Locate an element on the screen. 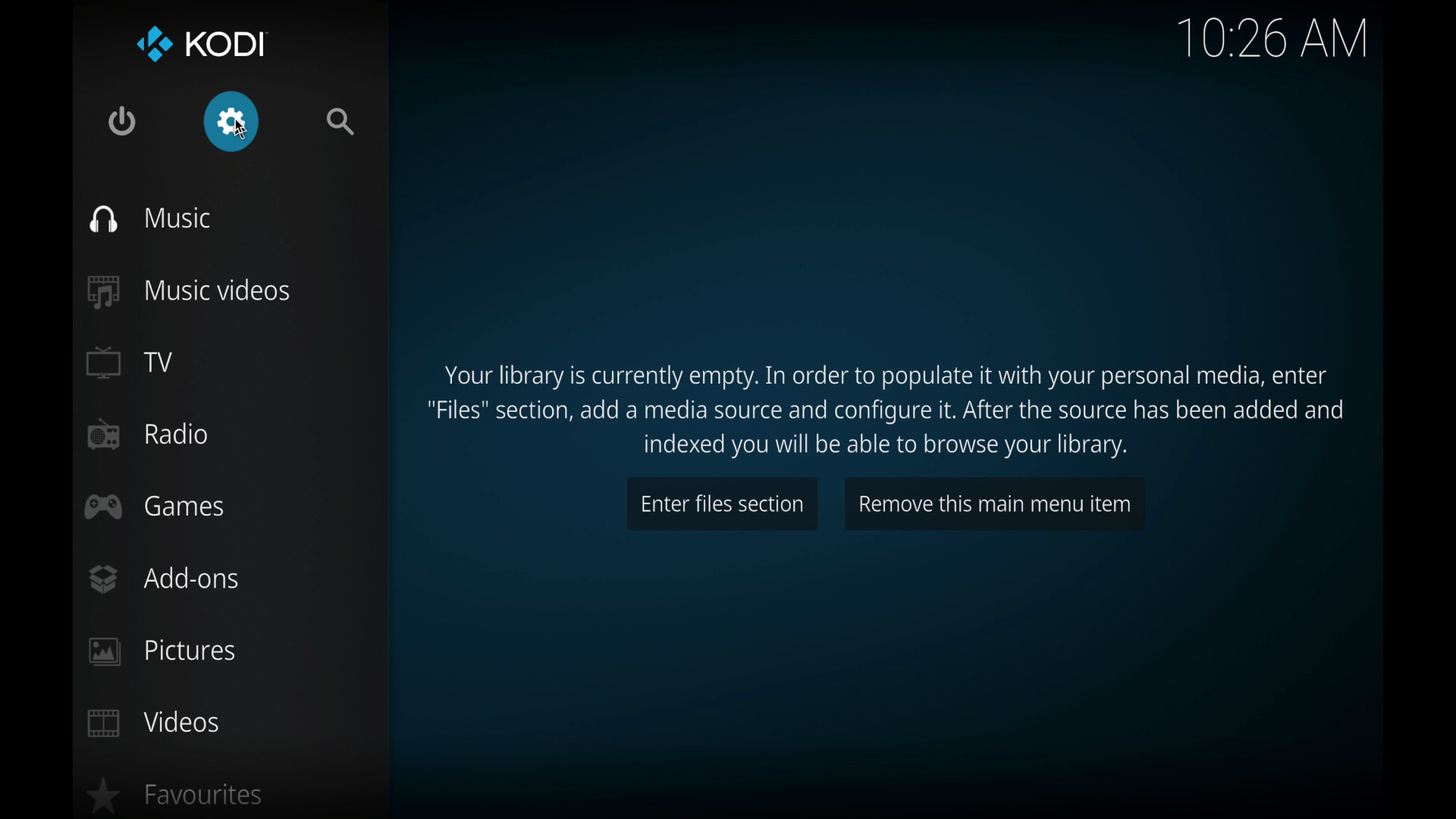 The height and width of the screenshot is (819, 1456). favorites is located at coordinates (177, 794).